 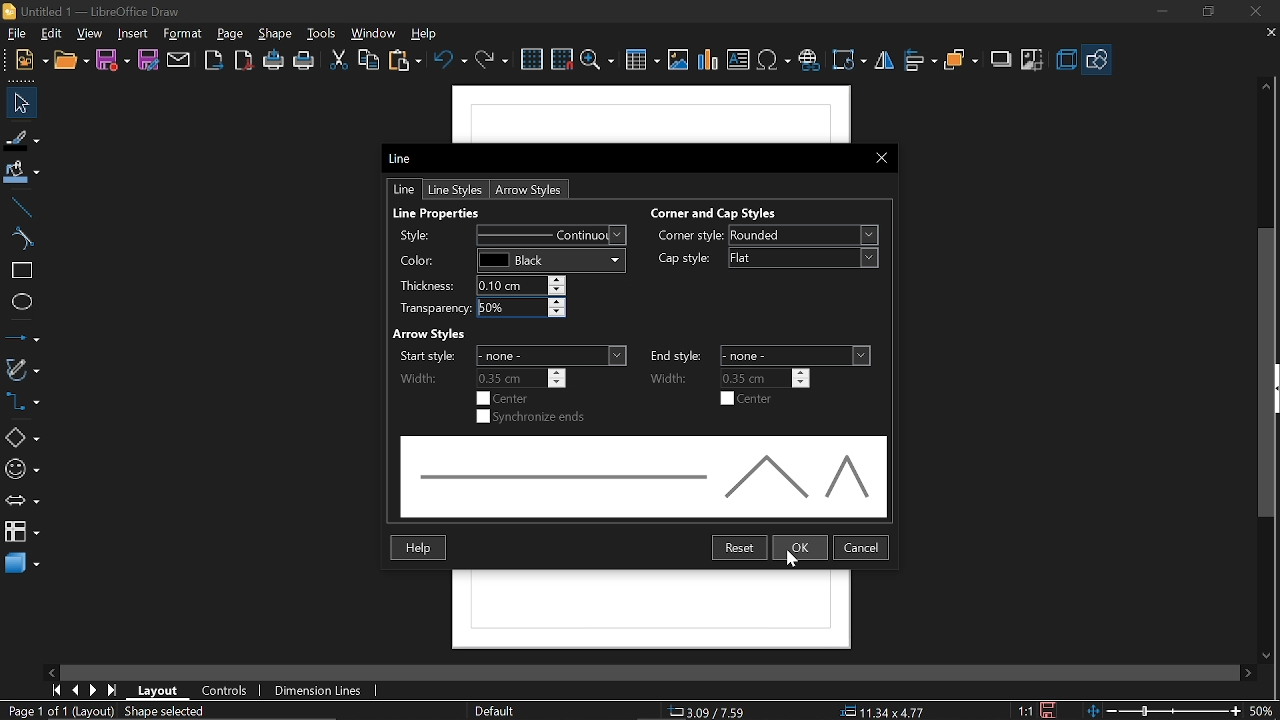 I want to click on Transparency, so click(x=479, y=307).